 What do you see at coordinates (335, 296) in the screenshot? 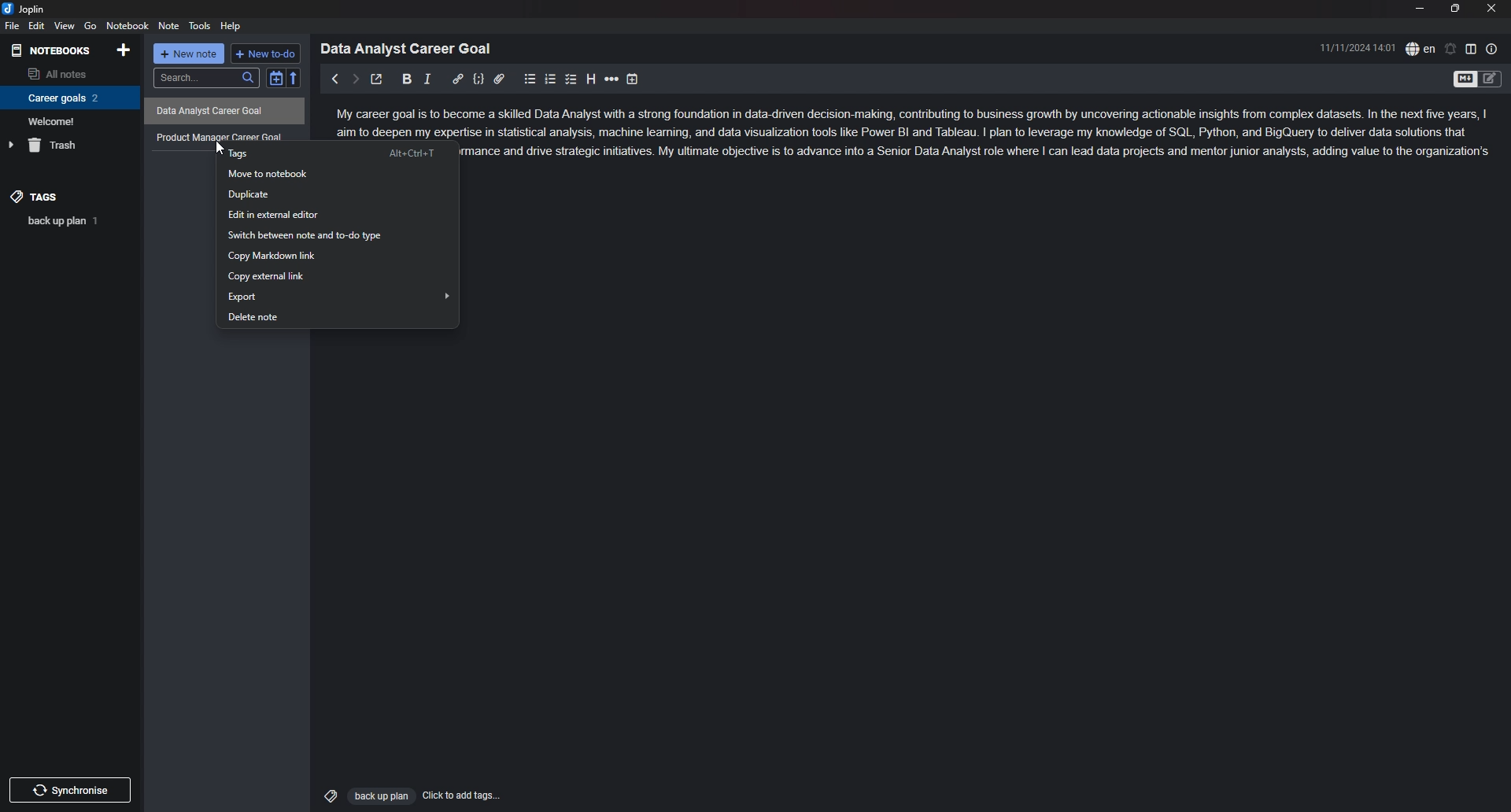
I see `export` at bounding box center [335, 296].